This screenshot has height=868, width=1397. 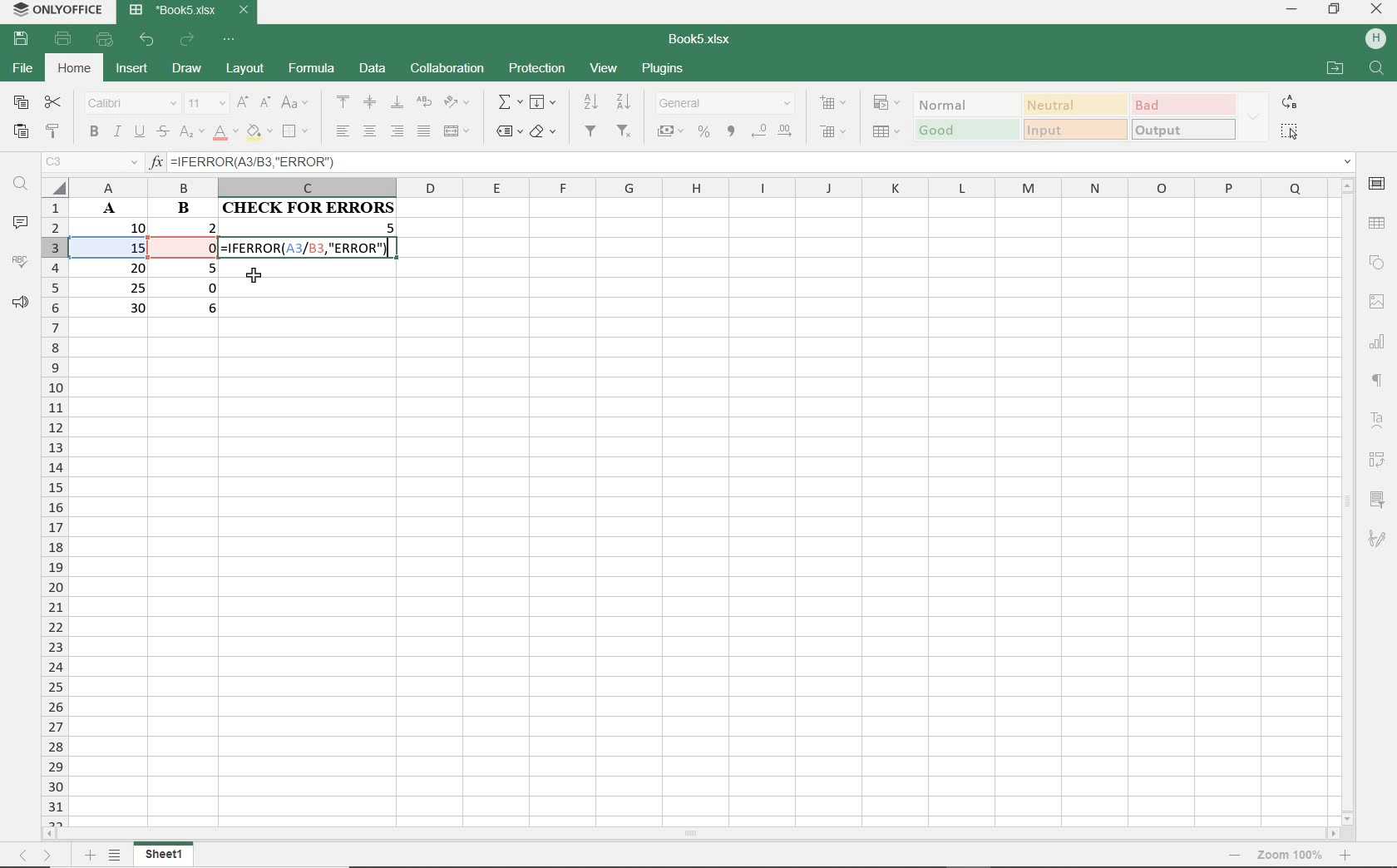 What do you see at coordinates (104, 40) in the screenshot?
I see `QUICK PRINT` at bounding box center [104, 40].